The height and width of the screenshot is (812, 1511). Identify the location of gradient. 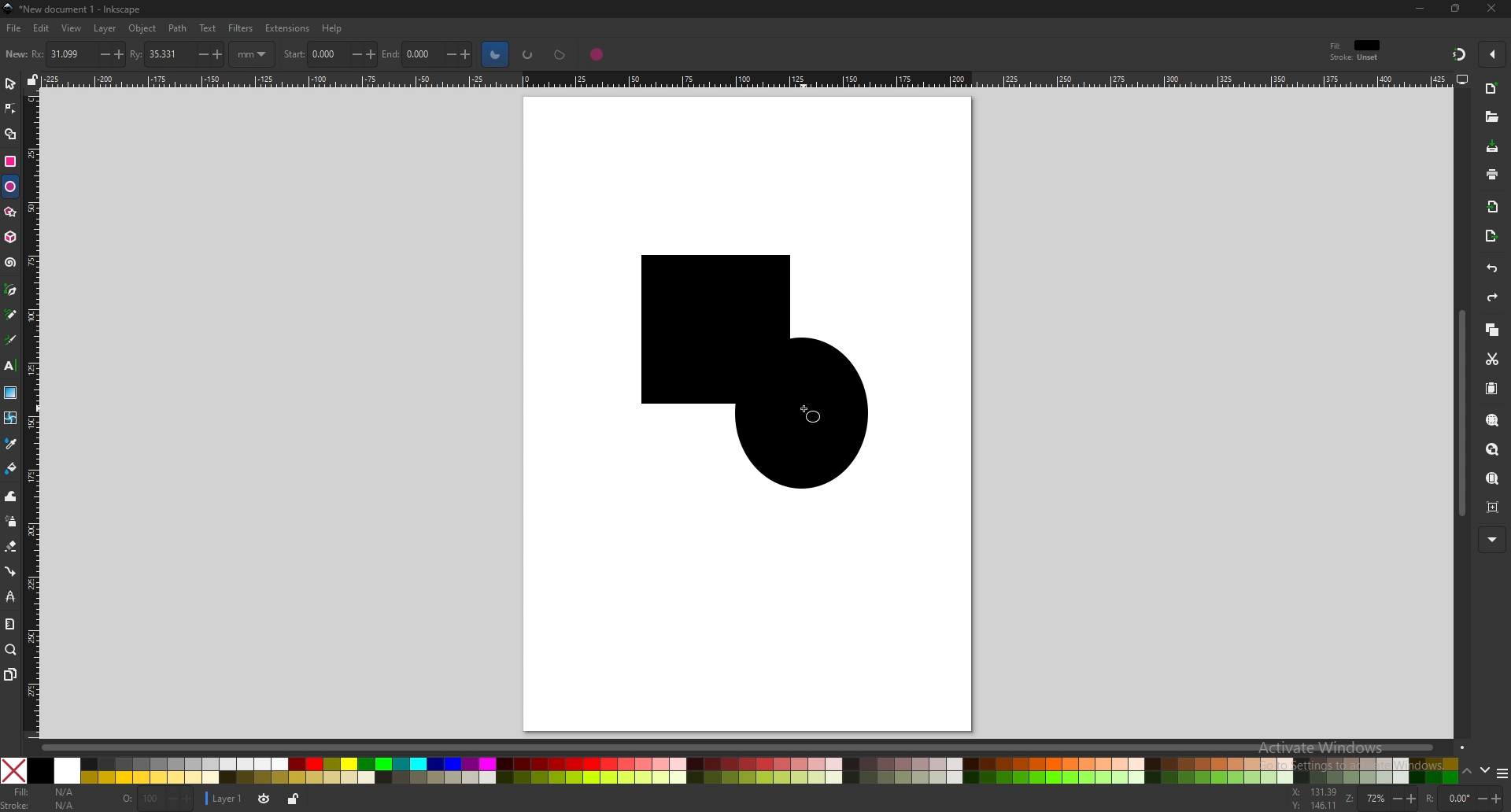
(10, 393).